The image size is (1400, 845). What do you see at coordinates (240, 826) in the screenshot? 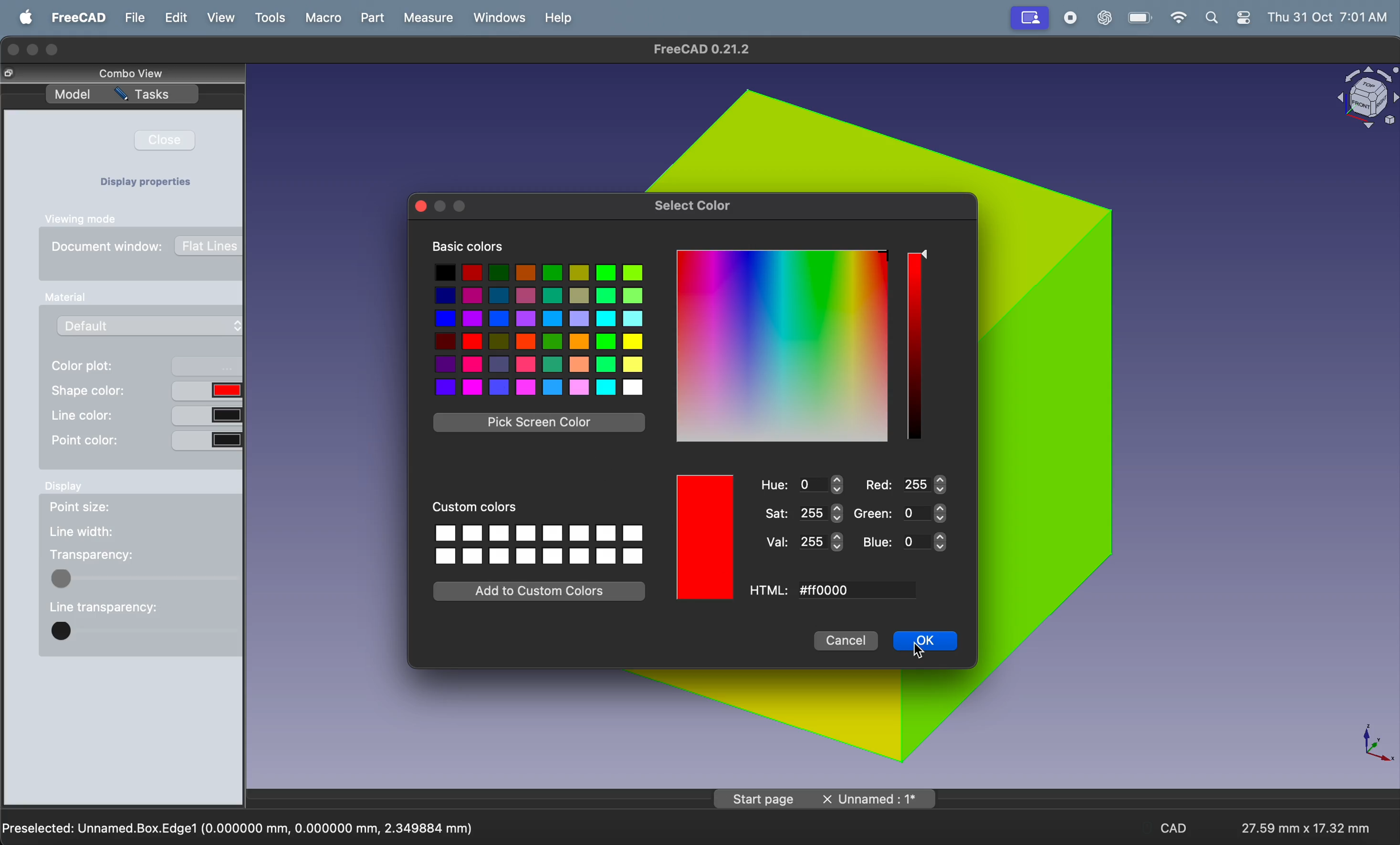
I see `preselected unamed` at bounding box center [240, 826].